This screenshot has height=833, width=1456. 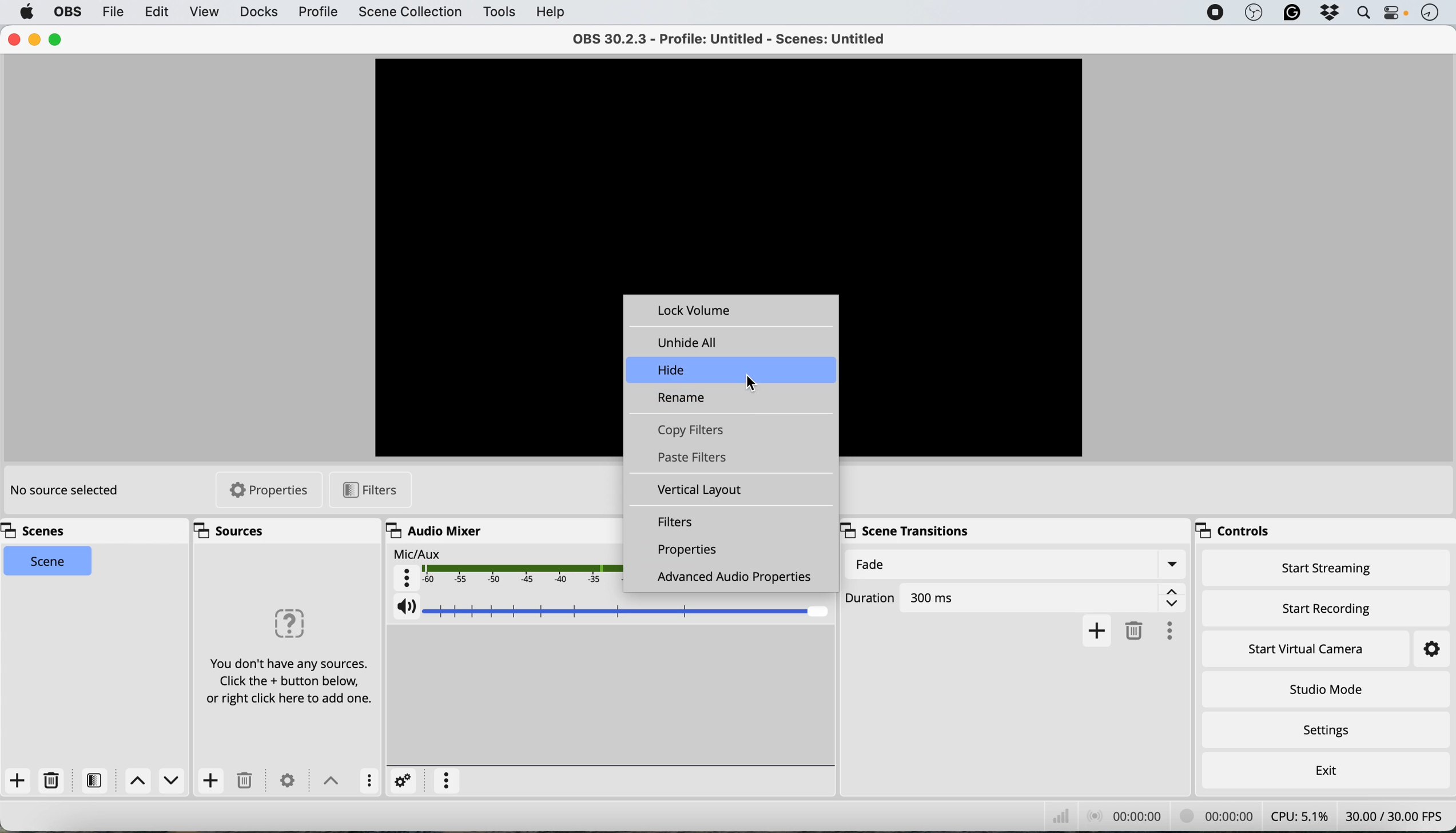 I want to click on edit, so click(x=154, y=11).